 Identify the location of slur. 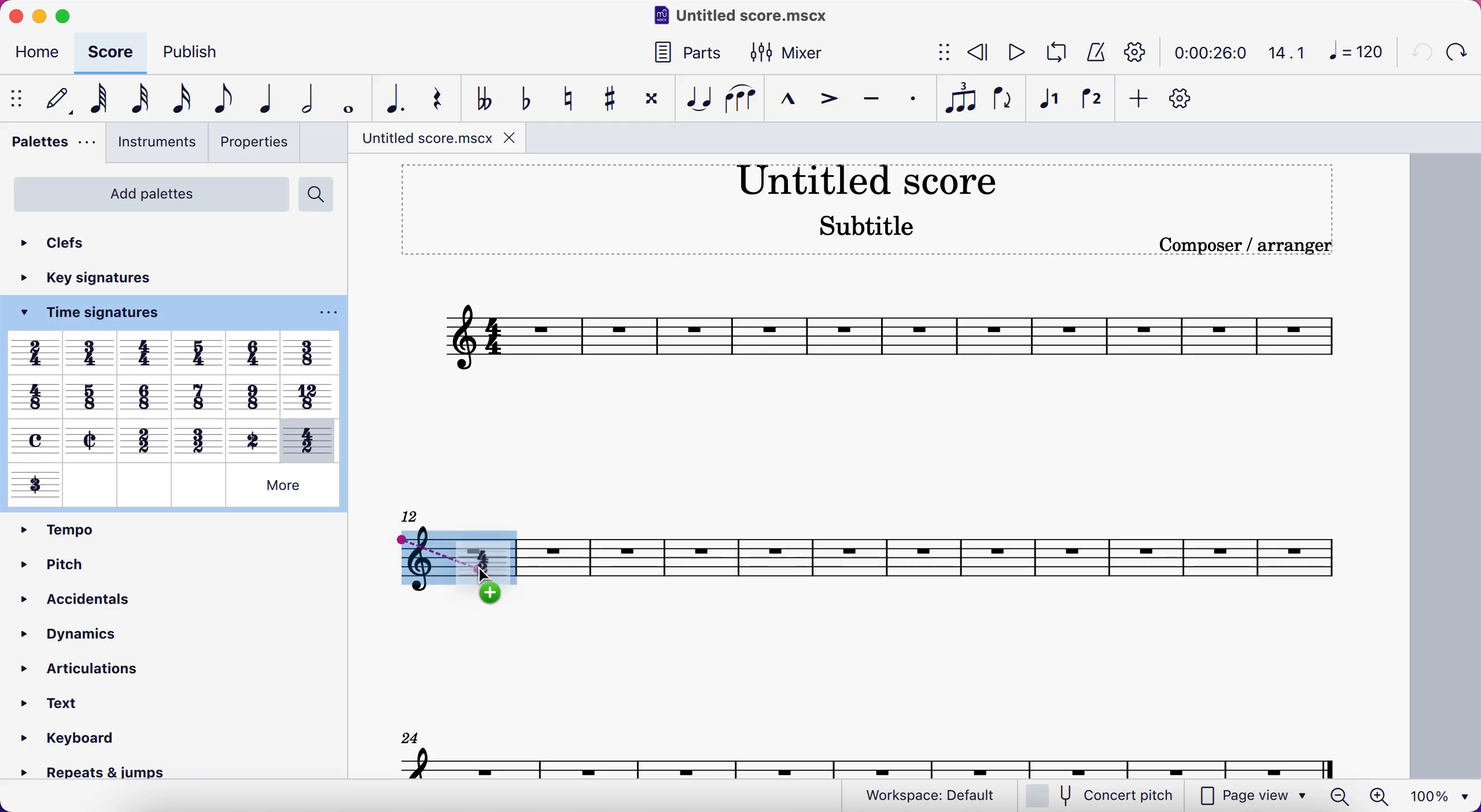
(739, 98).